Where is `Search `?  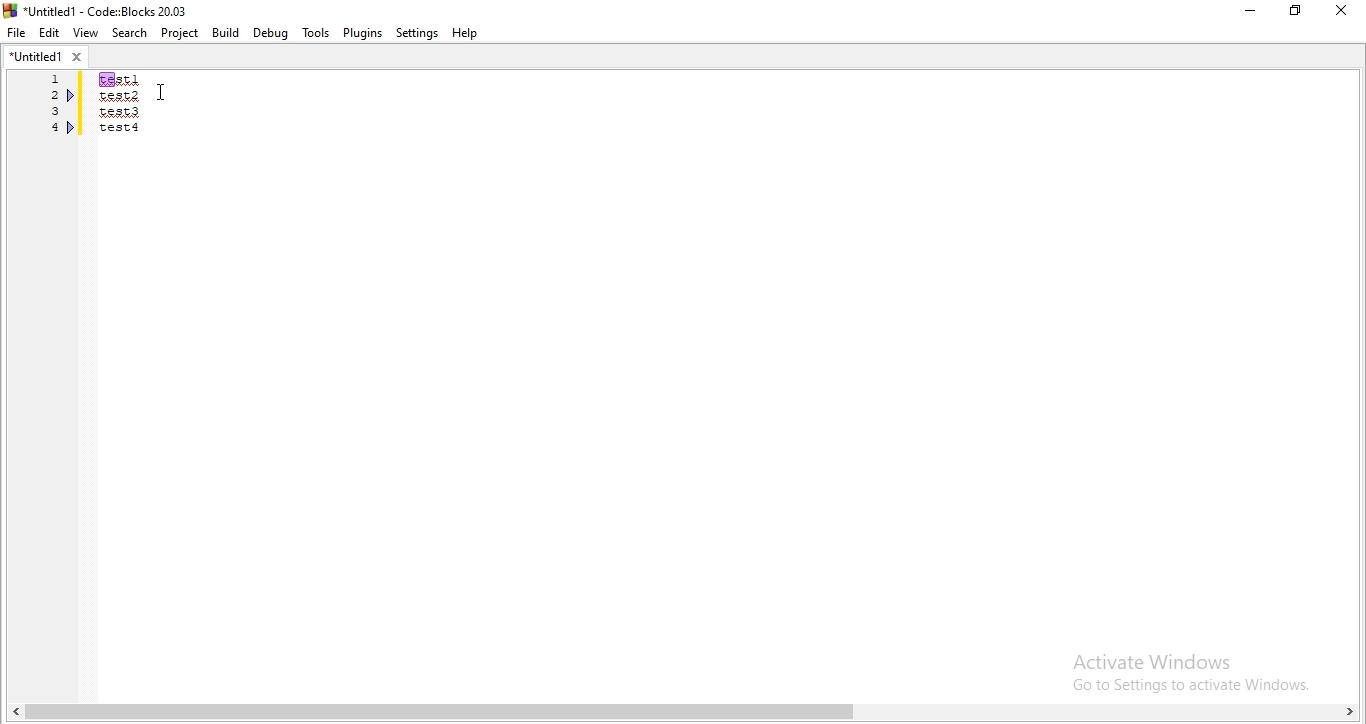
Search  is located at coordinates (131, 34).